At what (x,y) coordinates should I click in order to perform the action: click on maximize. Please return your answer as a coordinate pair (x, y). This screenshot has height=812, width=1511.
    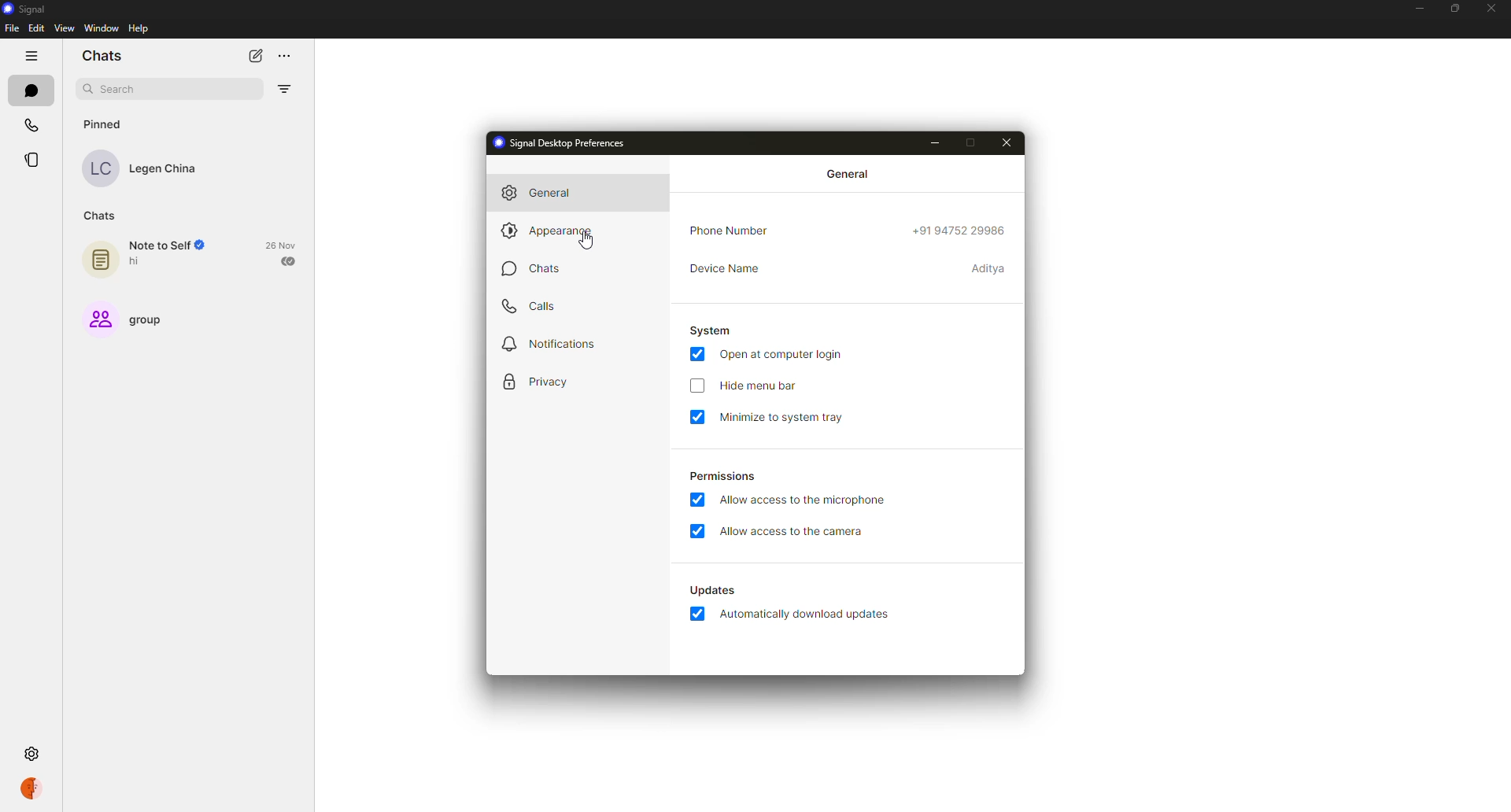
    Looking at the image, I should click on (1452, 9).